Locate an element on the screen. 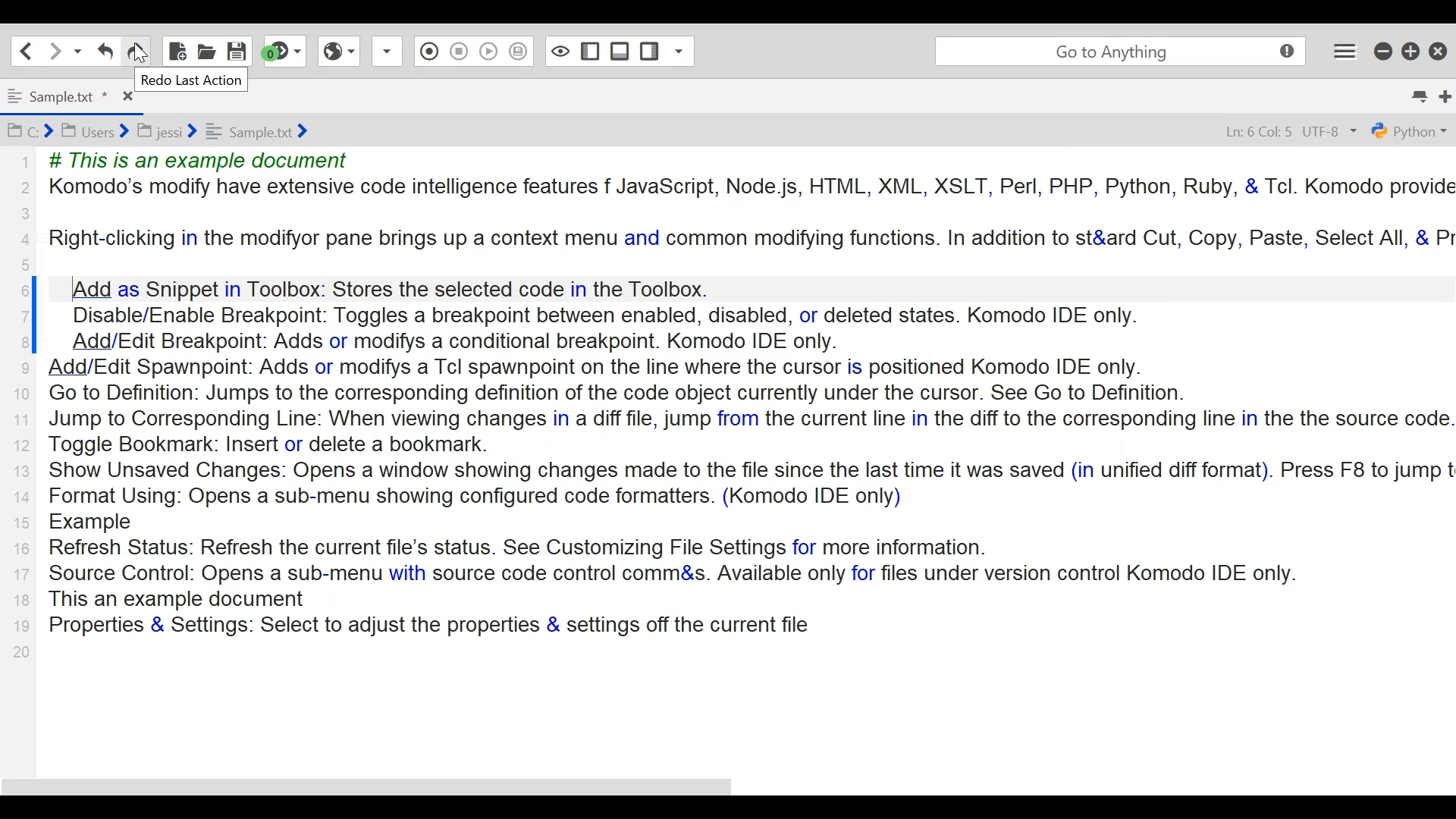  redo action pop up is located at coordinates (192, 79).